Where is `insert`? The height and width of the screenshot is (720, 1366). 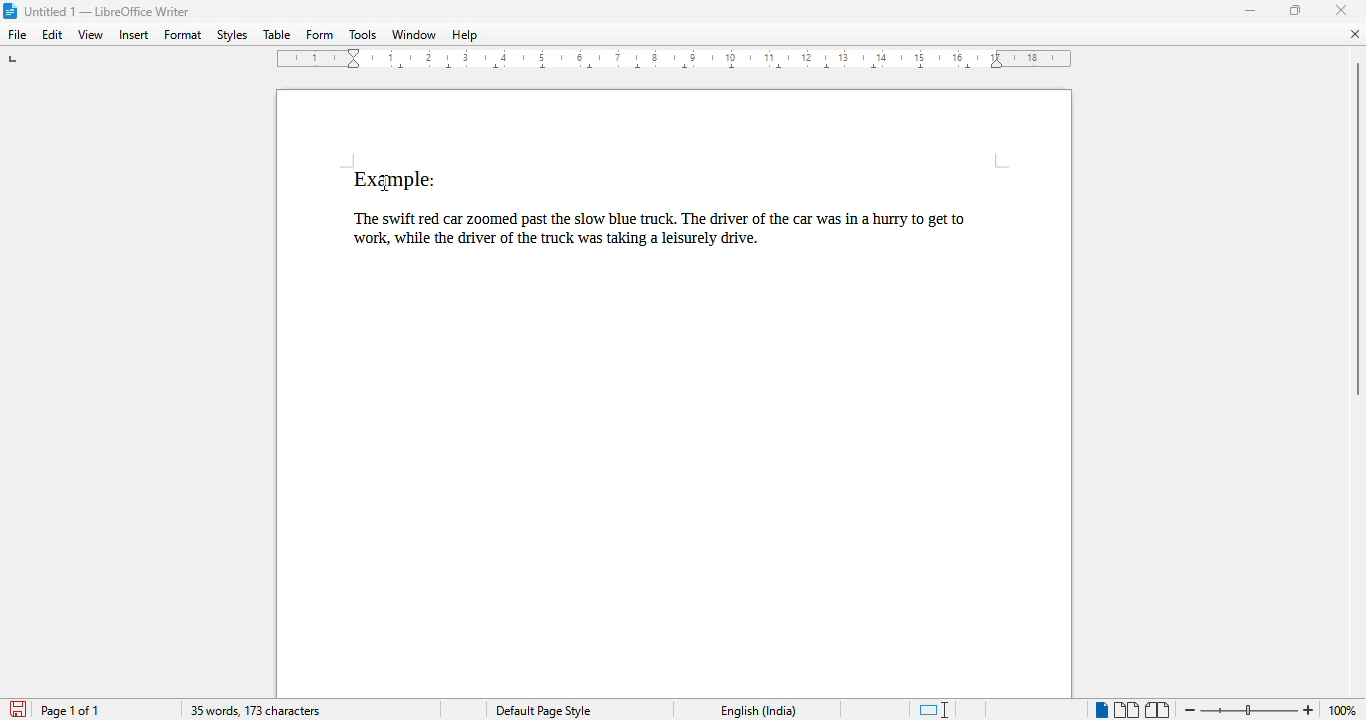
insert is located at coordinates (133, 35).